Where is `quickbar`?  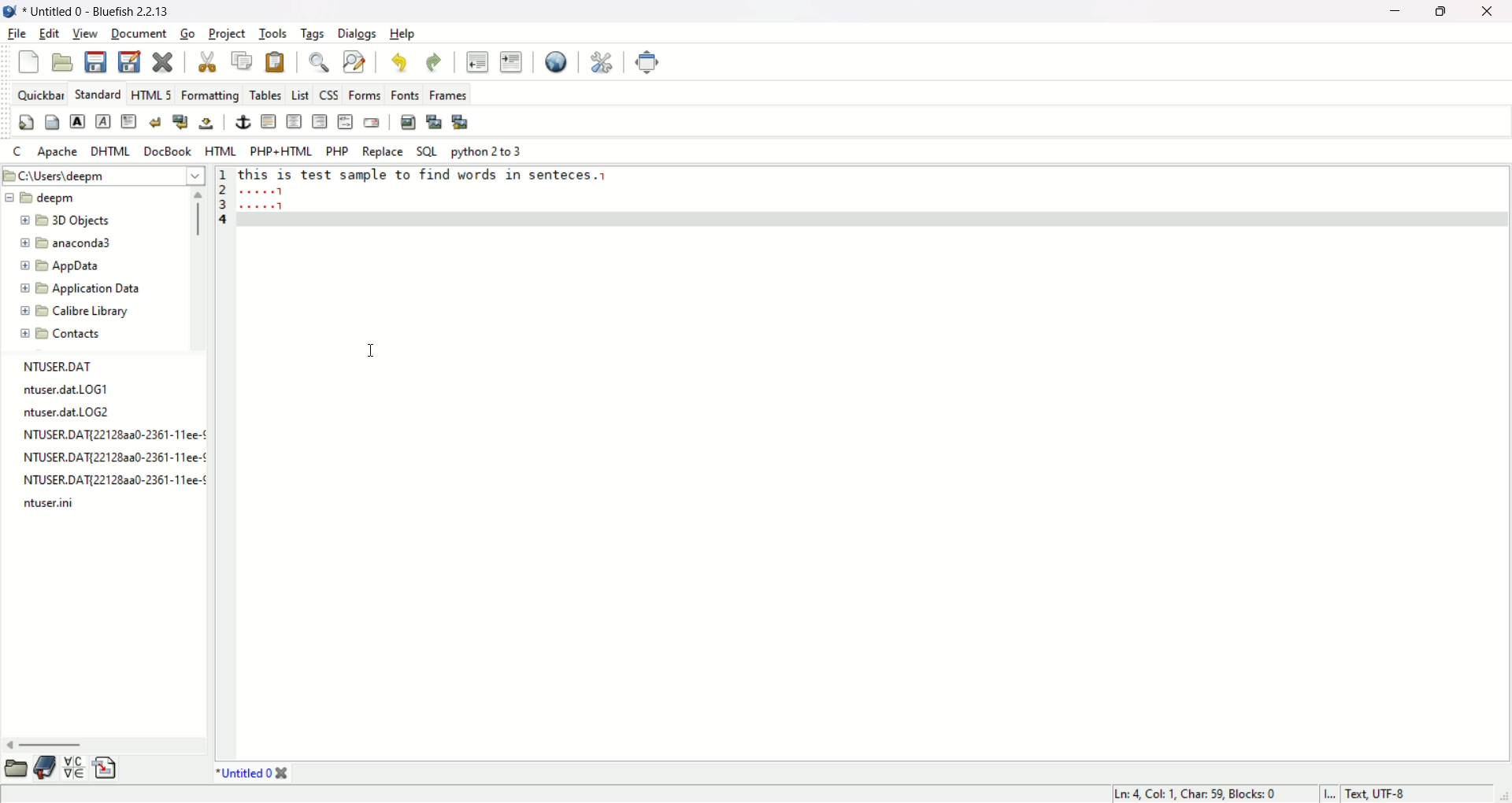
quickbar is located at coordinates (39, 95).